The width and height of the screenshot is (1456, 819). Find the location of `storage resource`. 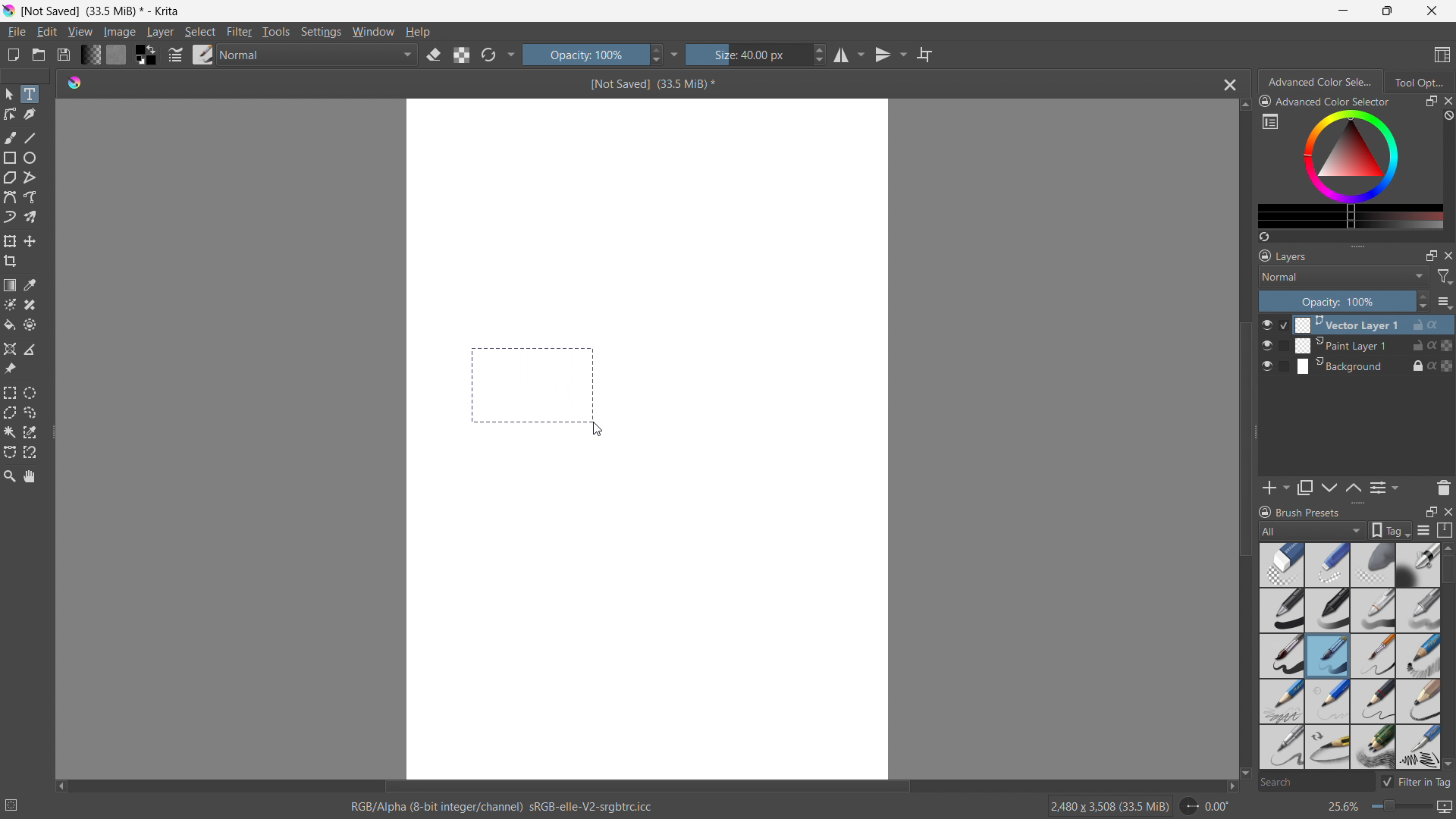

storage resource is located at coordinates (1445, 530).